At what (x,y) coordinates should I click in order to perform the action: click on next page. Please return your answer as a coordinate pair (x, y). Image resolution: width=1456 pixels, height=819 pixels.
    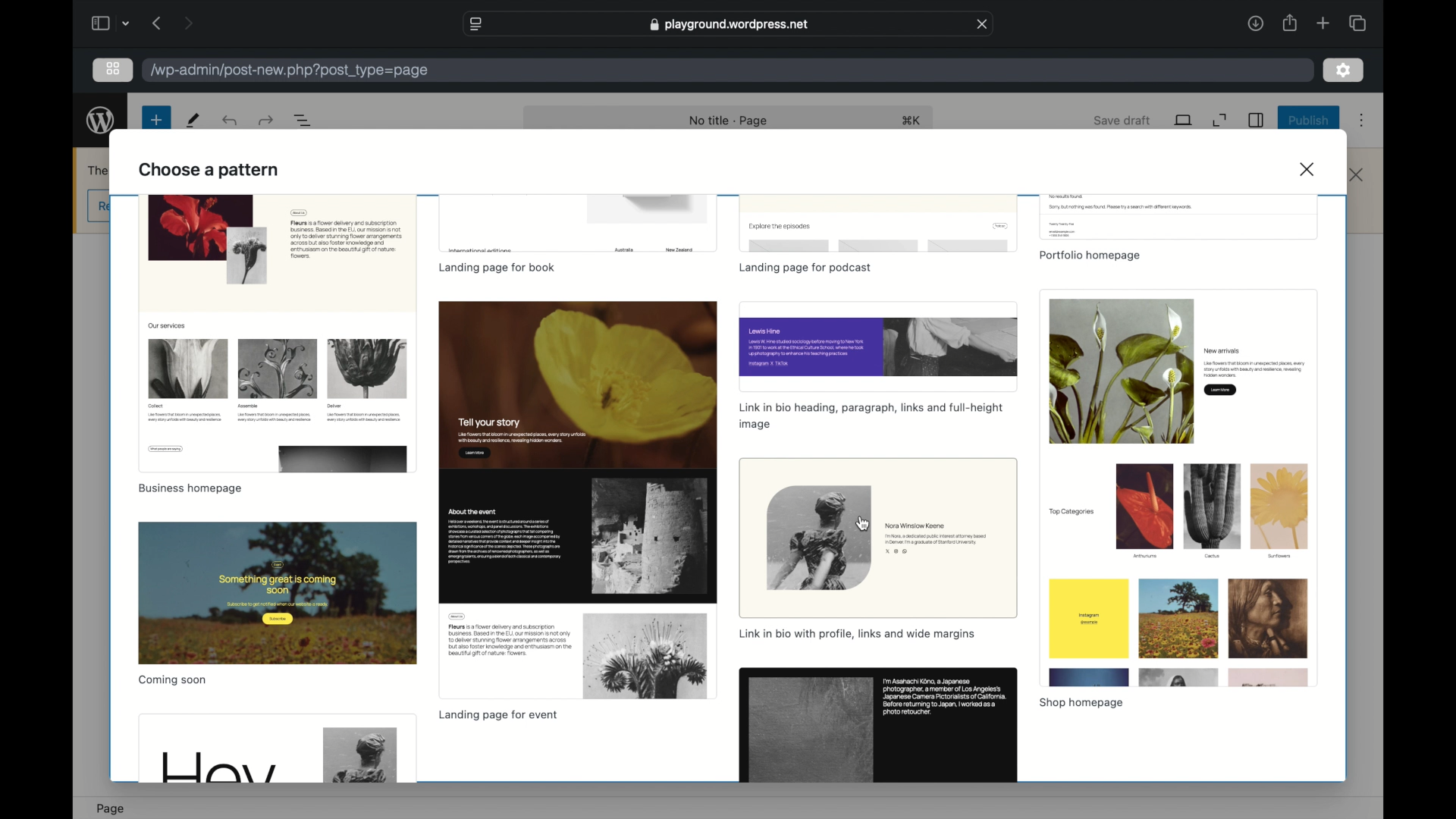
    Looking at the image, I should click on (190, 22).